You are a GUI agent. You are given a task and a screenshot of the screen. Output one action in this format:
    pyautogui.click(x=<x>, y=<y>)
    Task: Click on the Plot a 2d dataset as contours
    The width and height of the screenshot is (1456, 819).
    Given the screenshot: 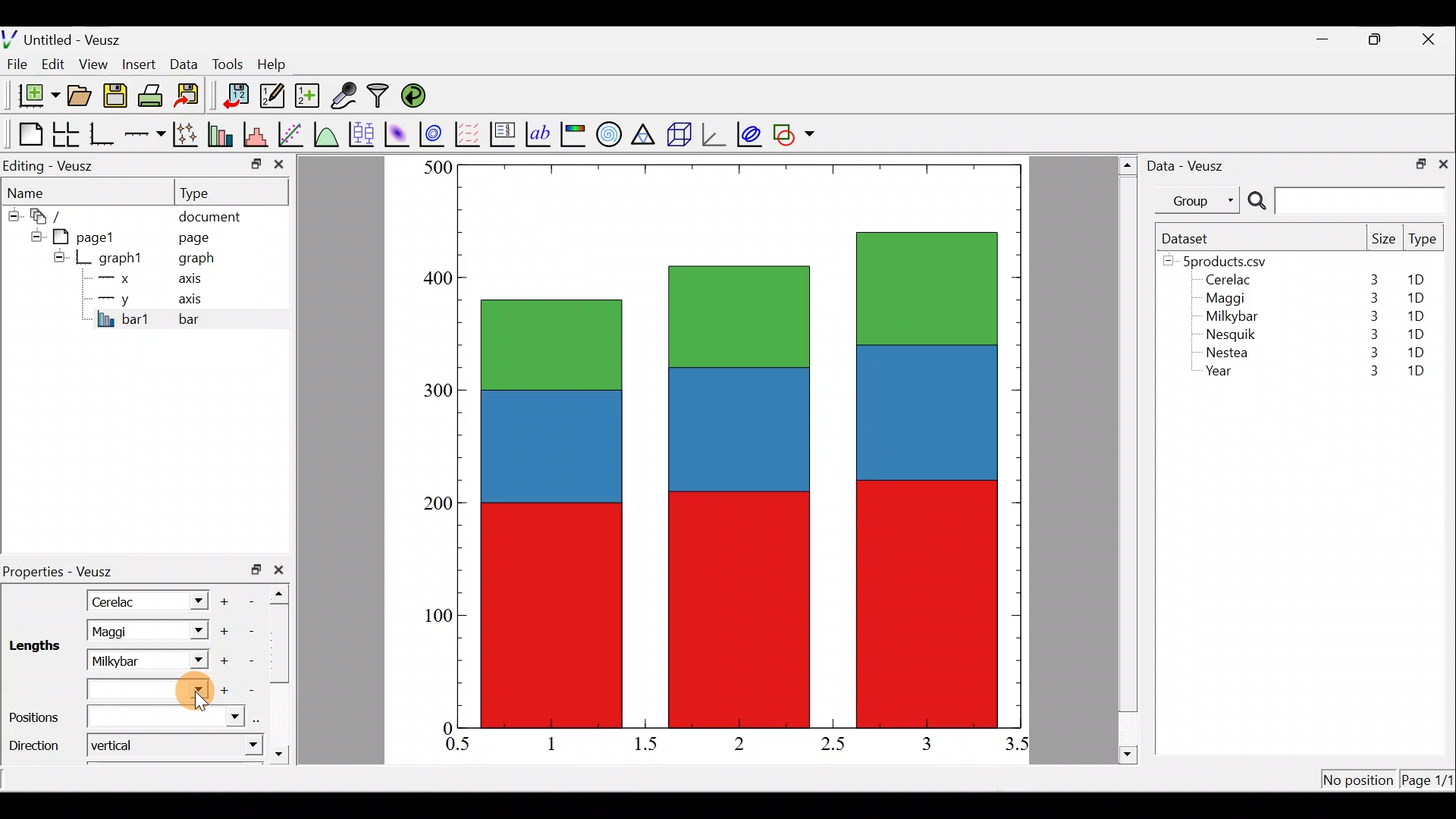 What is the action you would take?
    pyautogui.click(x=435, y=133)
    